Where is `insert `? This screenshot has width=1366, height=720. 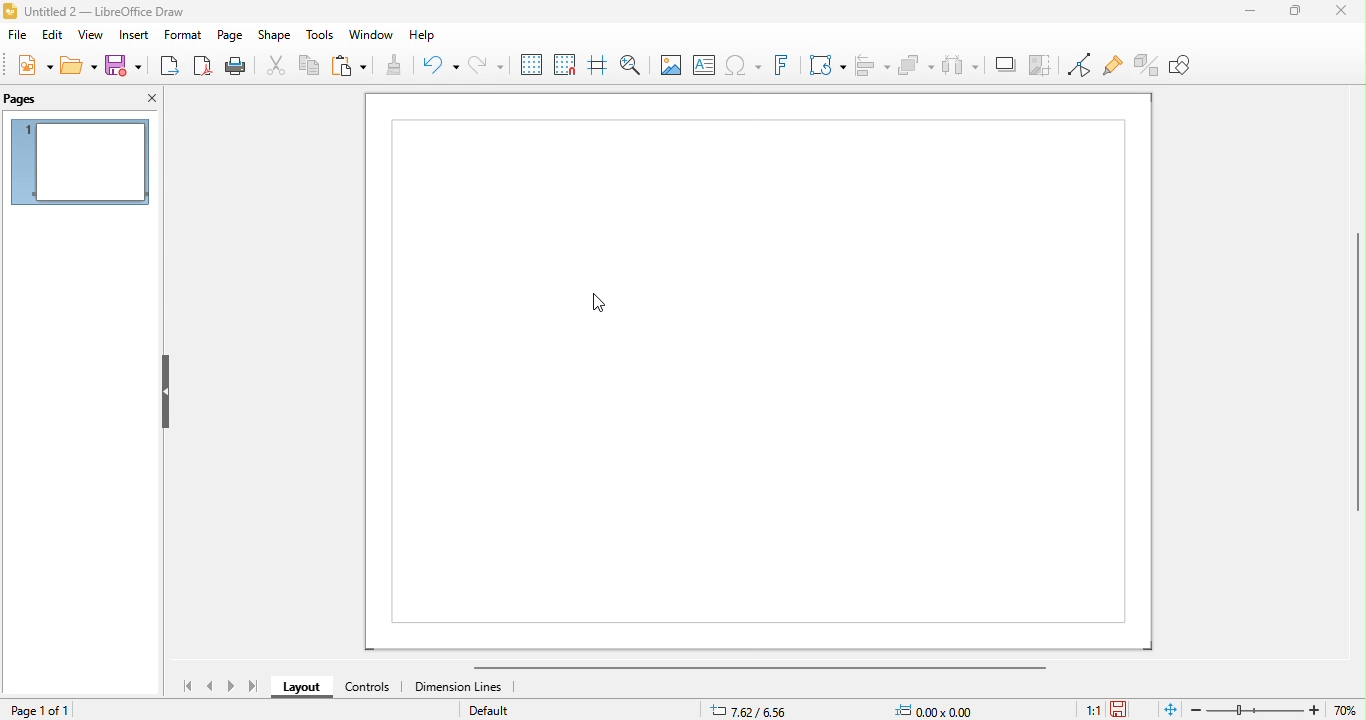
insert  is located at coordinates (133, 35).